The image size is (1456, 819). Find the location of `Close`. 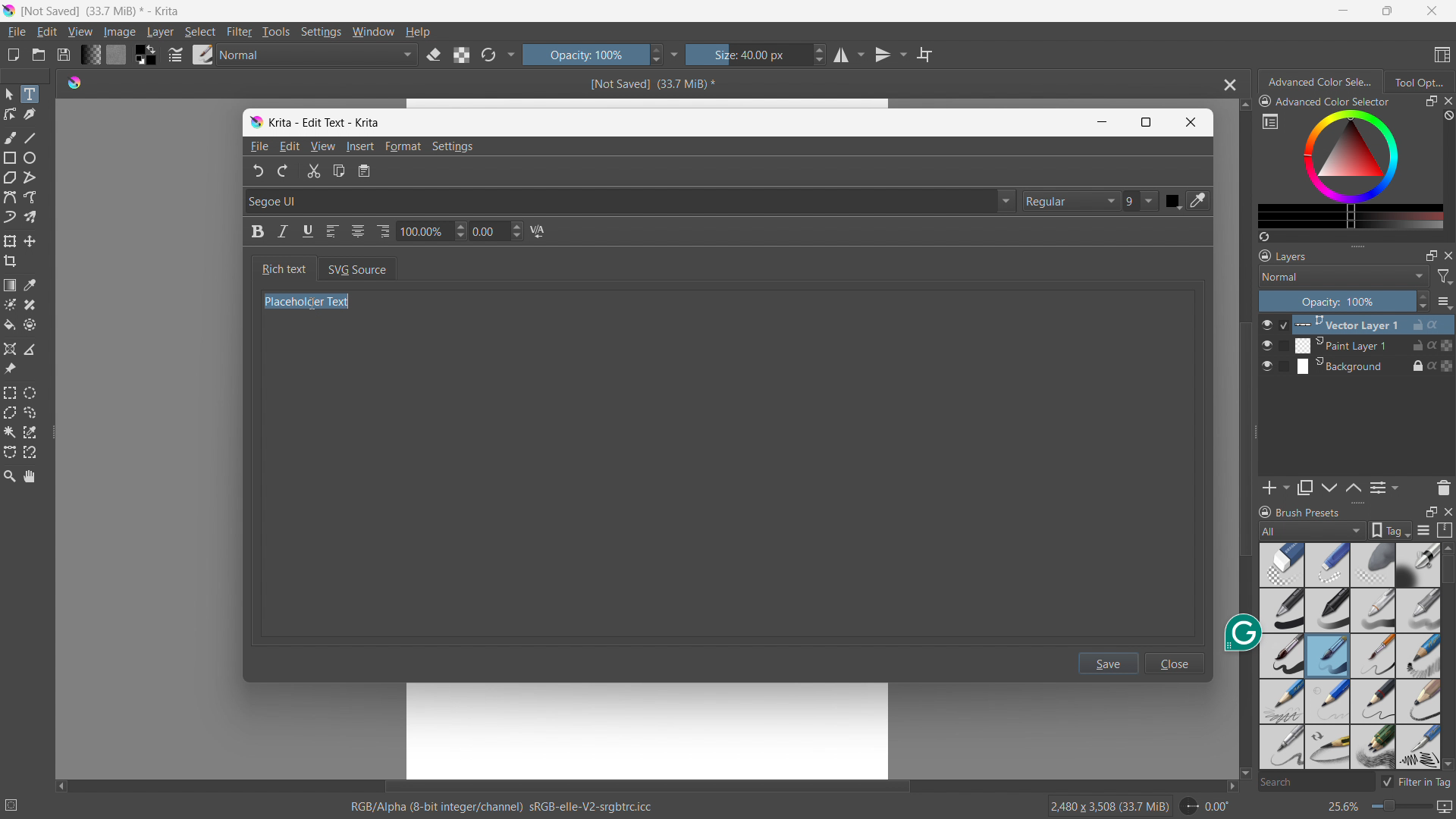

Close is located at coordinates (1191, 123).